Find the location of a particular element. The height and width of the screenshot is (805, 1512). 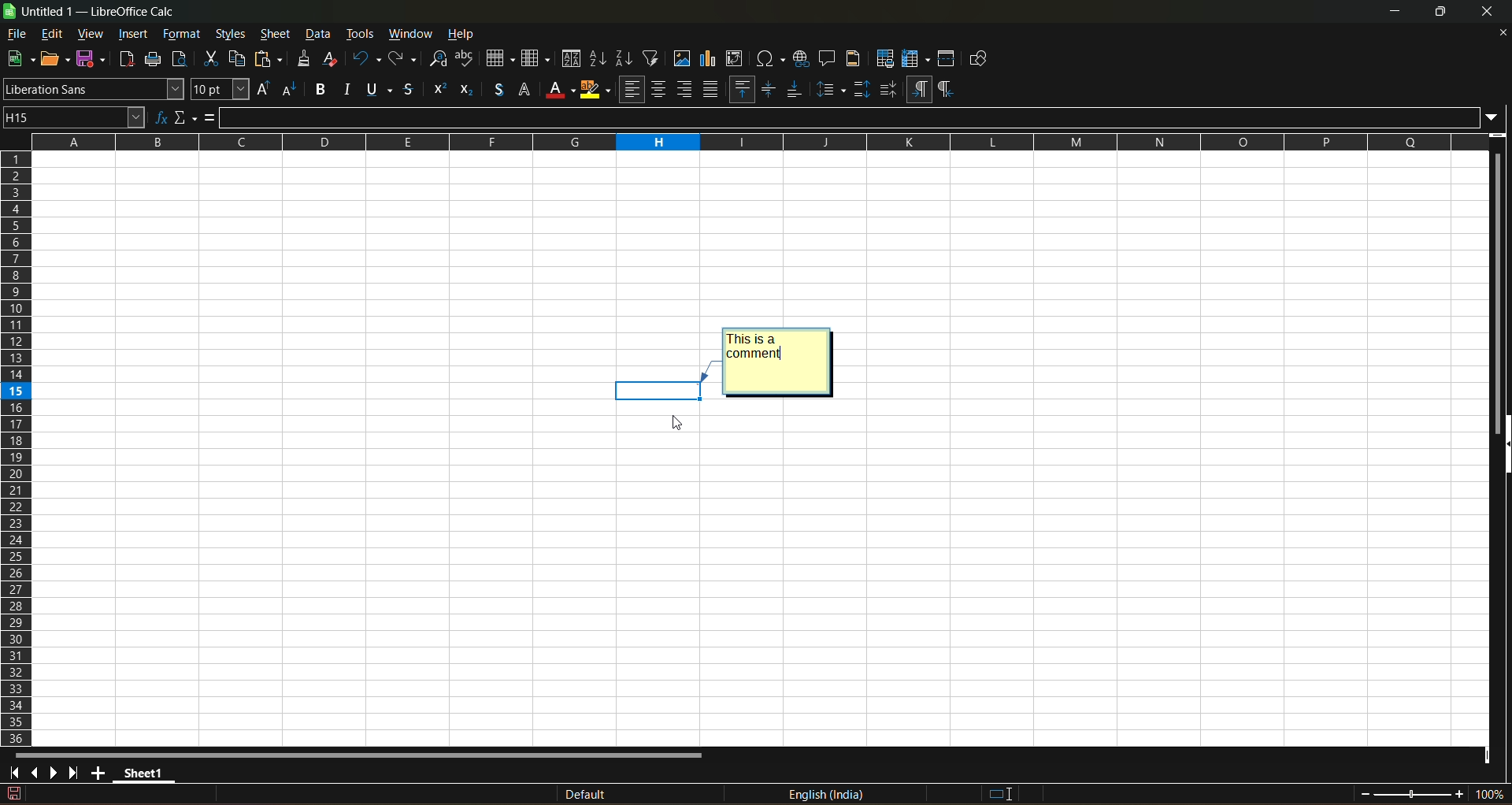

close is located at coordinates (1488, 13).